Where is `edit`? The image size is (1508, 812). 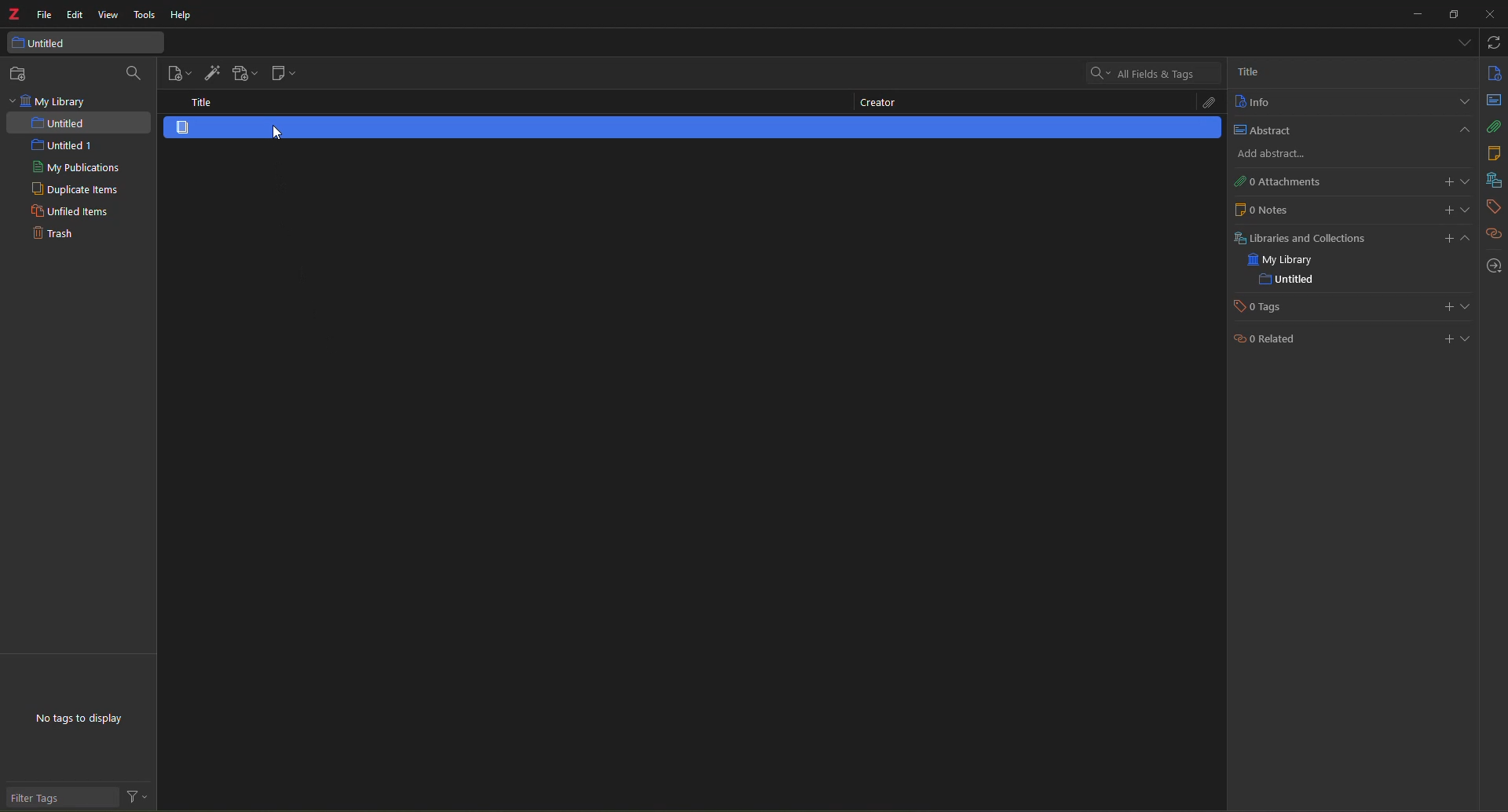
edit is located at coordinates (75, 14).